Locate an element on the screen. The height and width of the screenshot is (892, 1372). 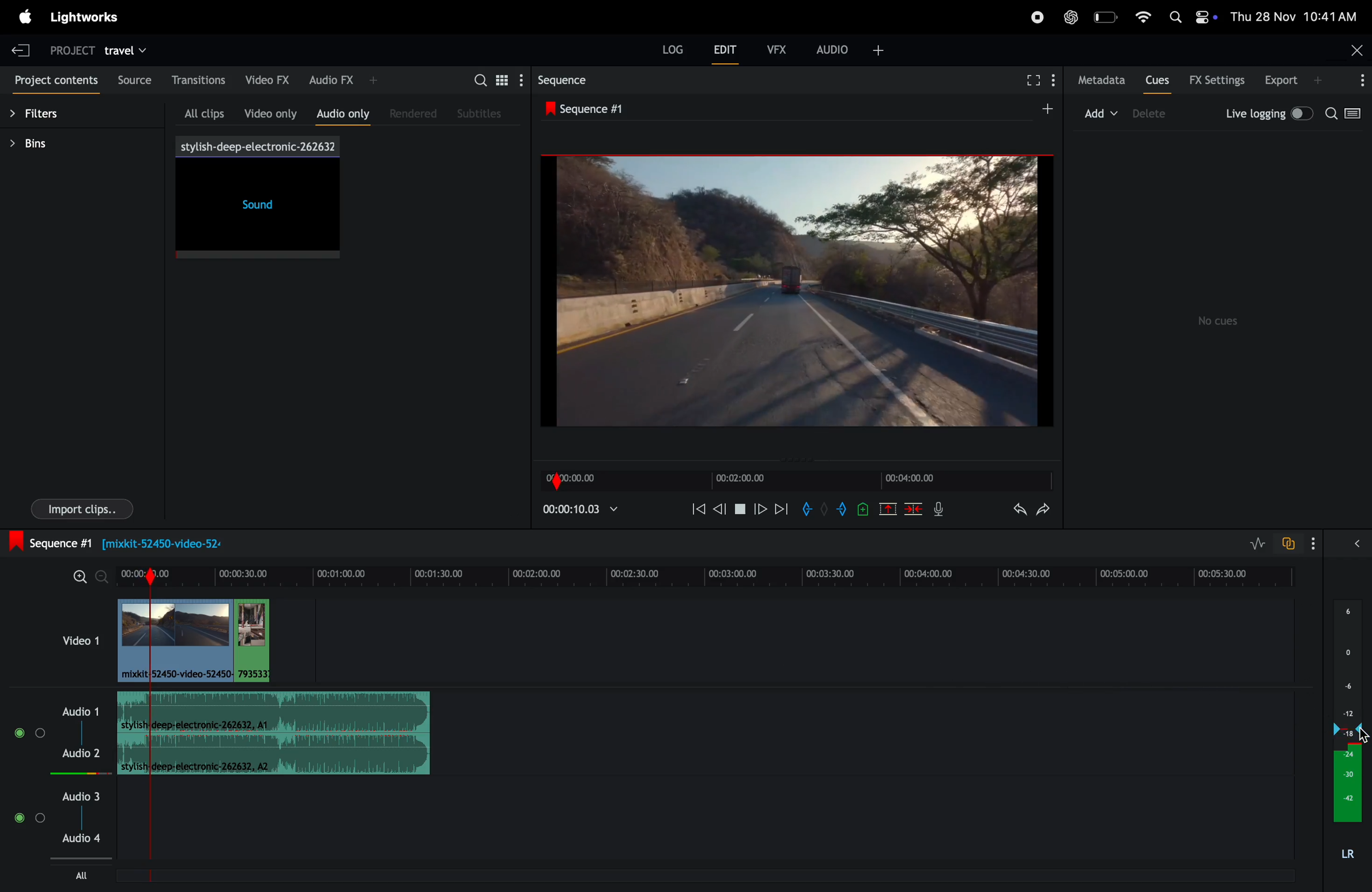
audio only is located at coordinates (340, 114).